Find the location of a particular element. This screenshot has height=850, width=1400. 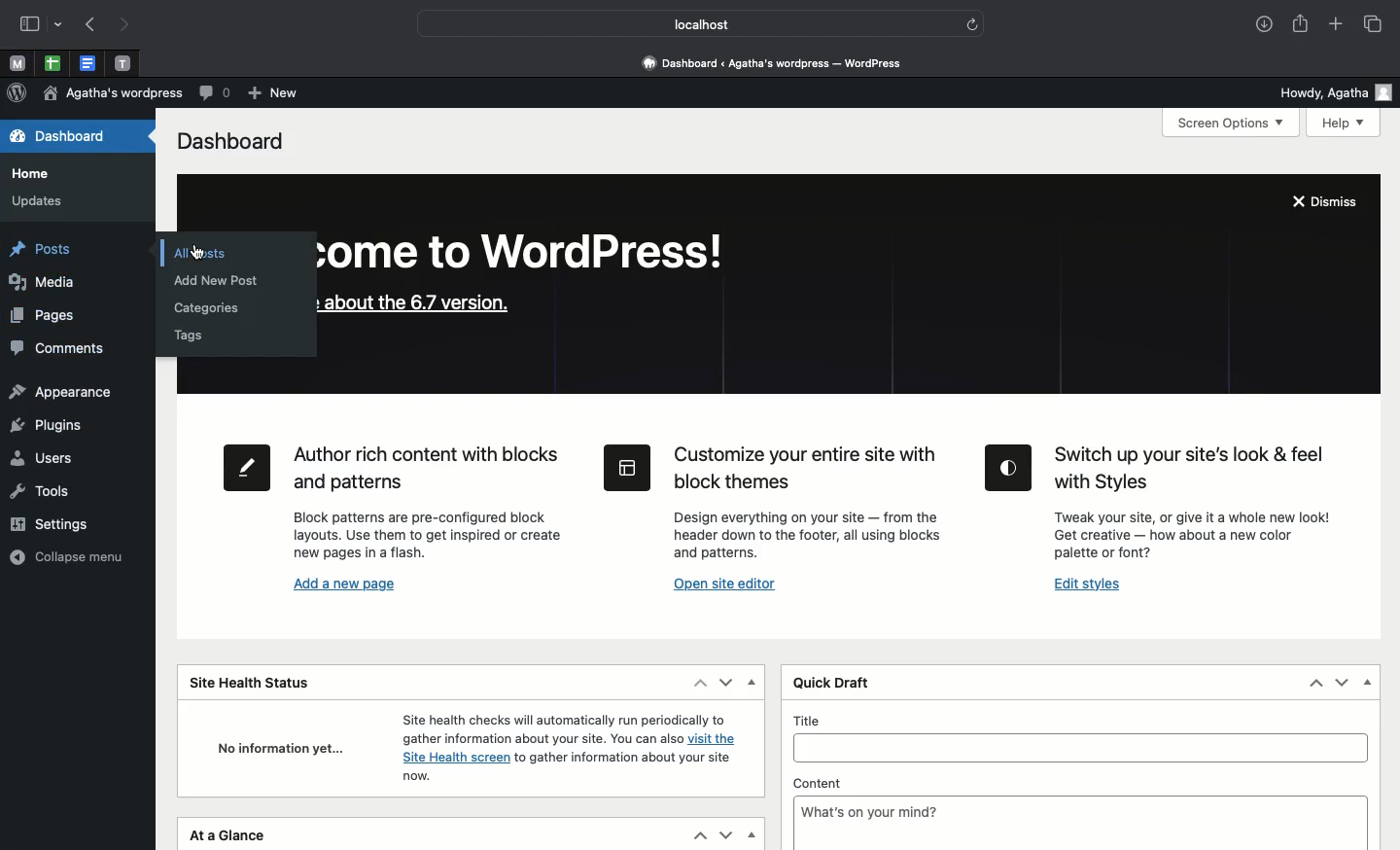

Page is located at coordinates (43, 317).